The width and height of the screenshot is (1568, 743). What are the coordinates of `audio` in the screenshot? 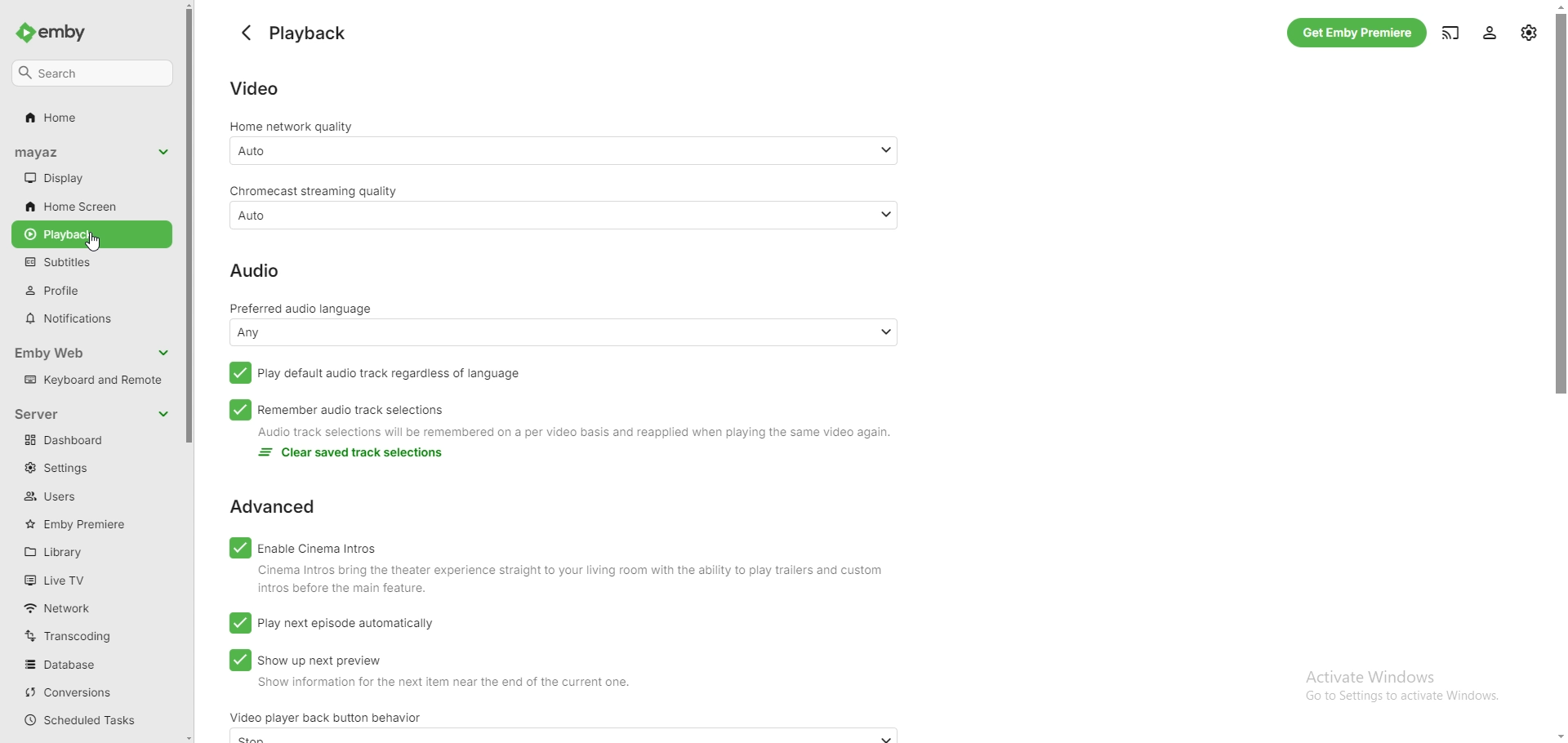 It's located at (254, 269).